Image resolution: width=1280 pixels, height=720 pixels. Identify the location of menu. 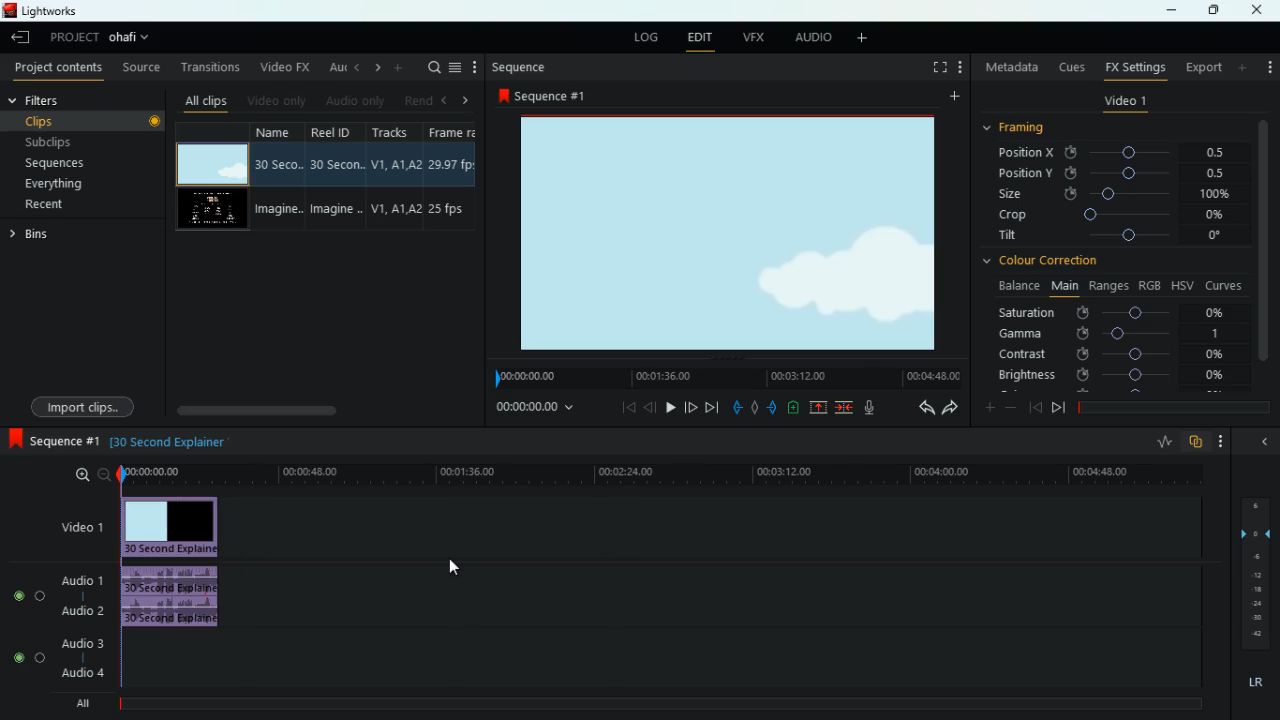
(457, 66).